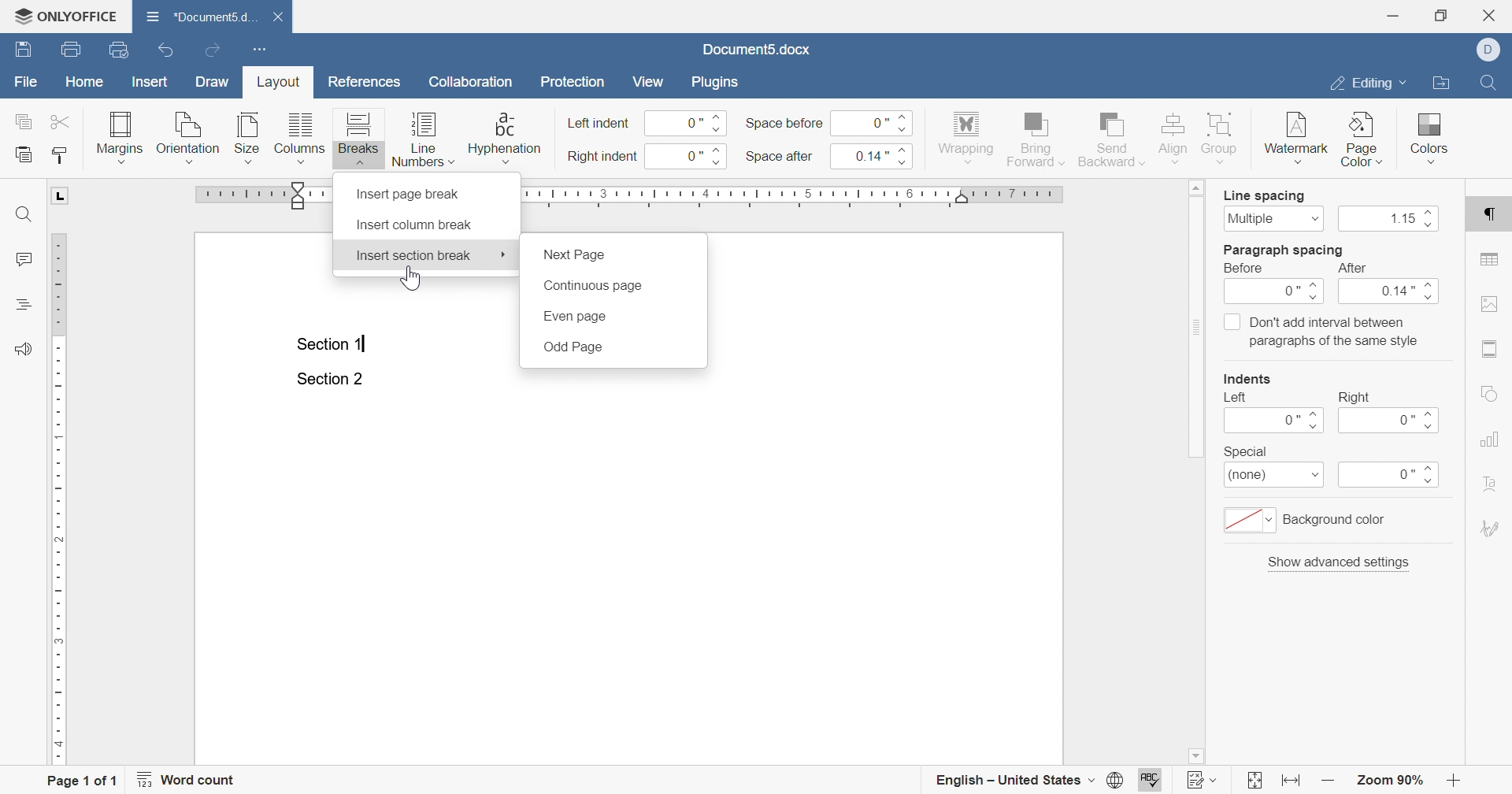 The width and height of the screenshot is (1512, 794). What do you see at coordinates (86, 779) in the screenshot?
I see `page 1 of 1` at bounding box center [86, 779].